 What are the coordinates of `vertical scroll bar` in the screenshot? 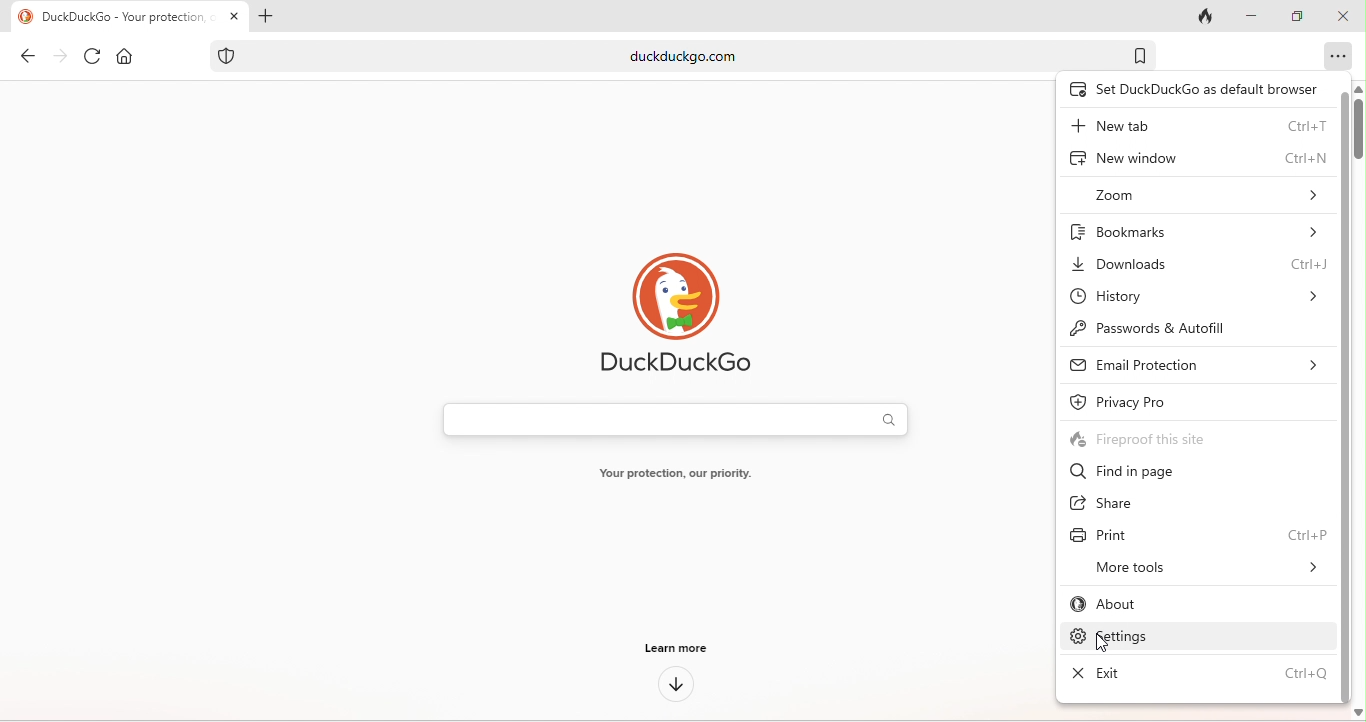 It's located at (1346, 395).